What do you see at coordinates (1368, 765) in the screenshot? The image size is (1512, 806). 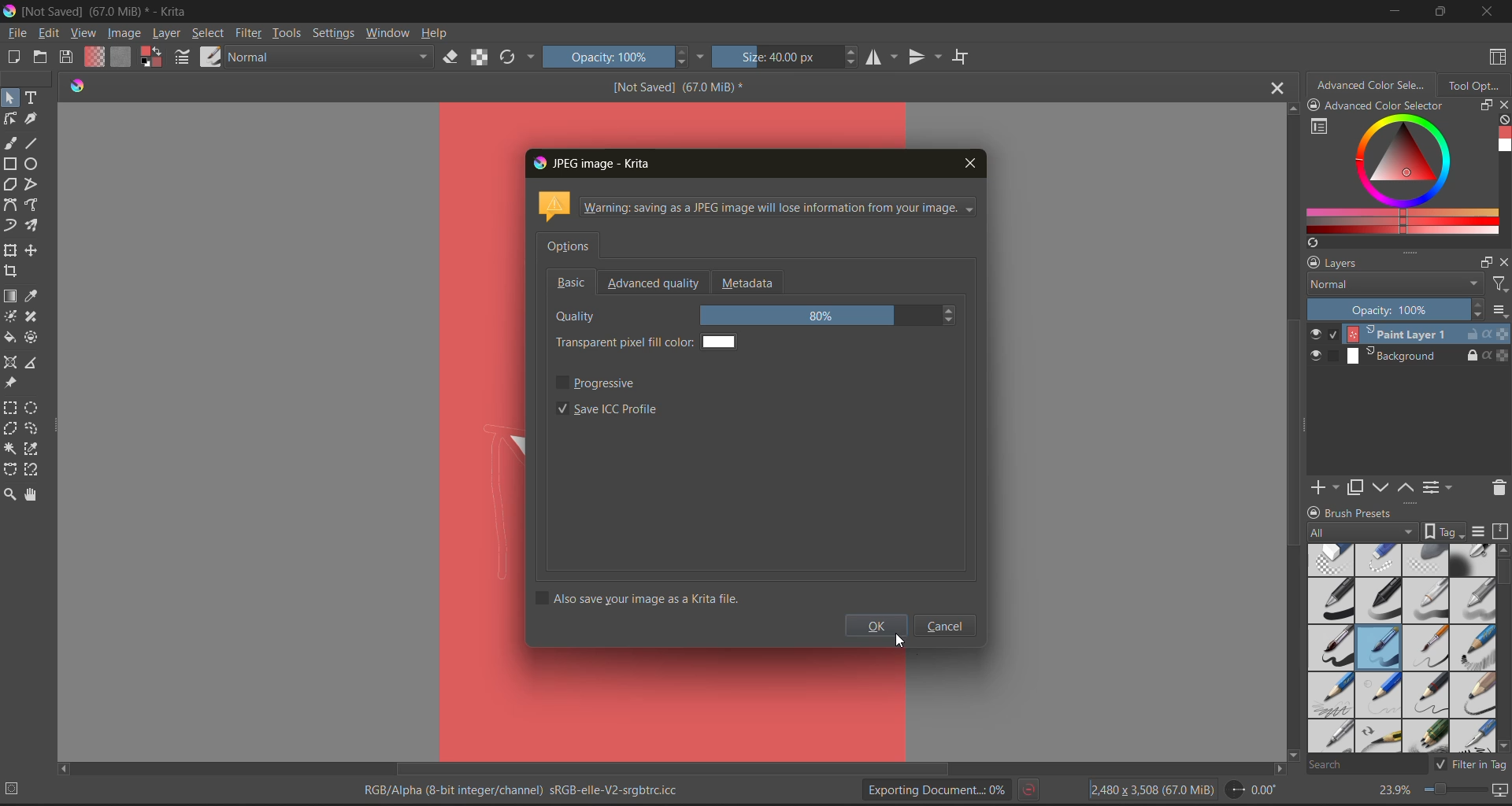 I see `search` at bounding box center [1368, 765].